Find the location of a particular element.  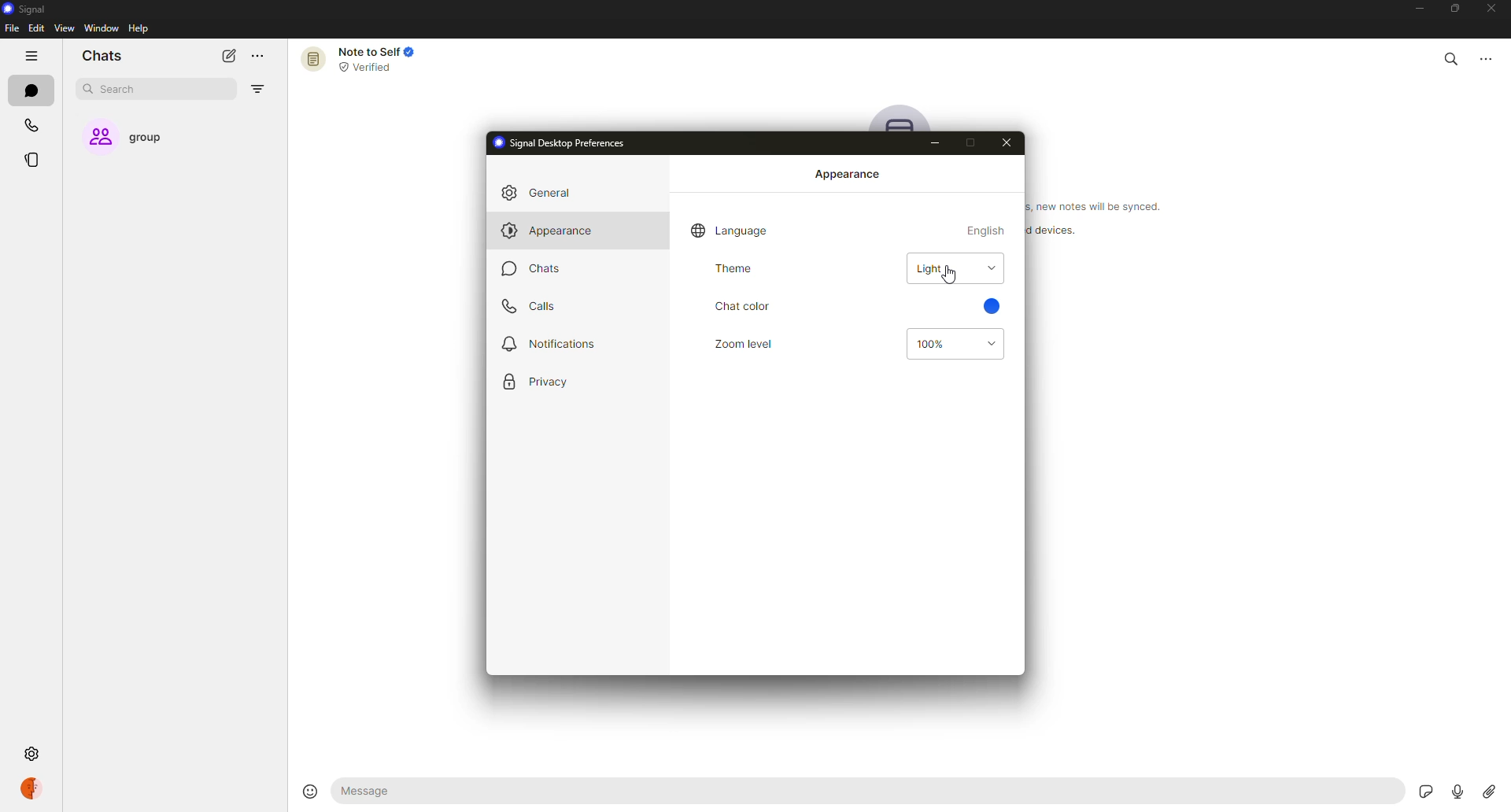

minimize is located at coordinates (937, 142).